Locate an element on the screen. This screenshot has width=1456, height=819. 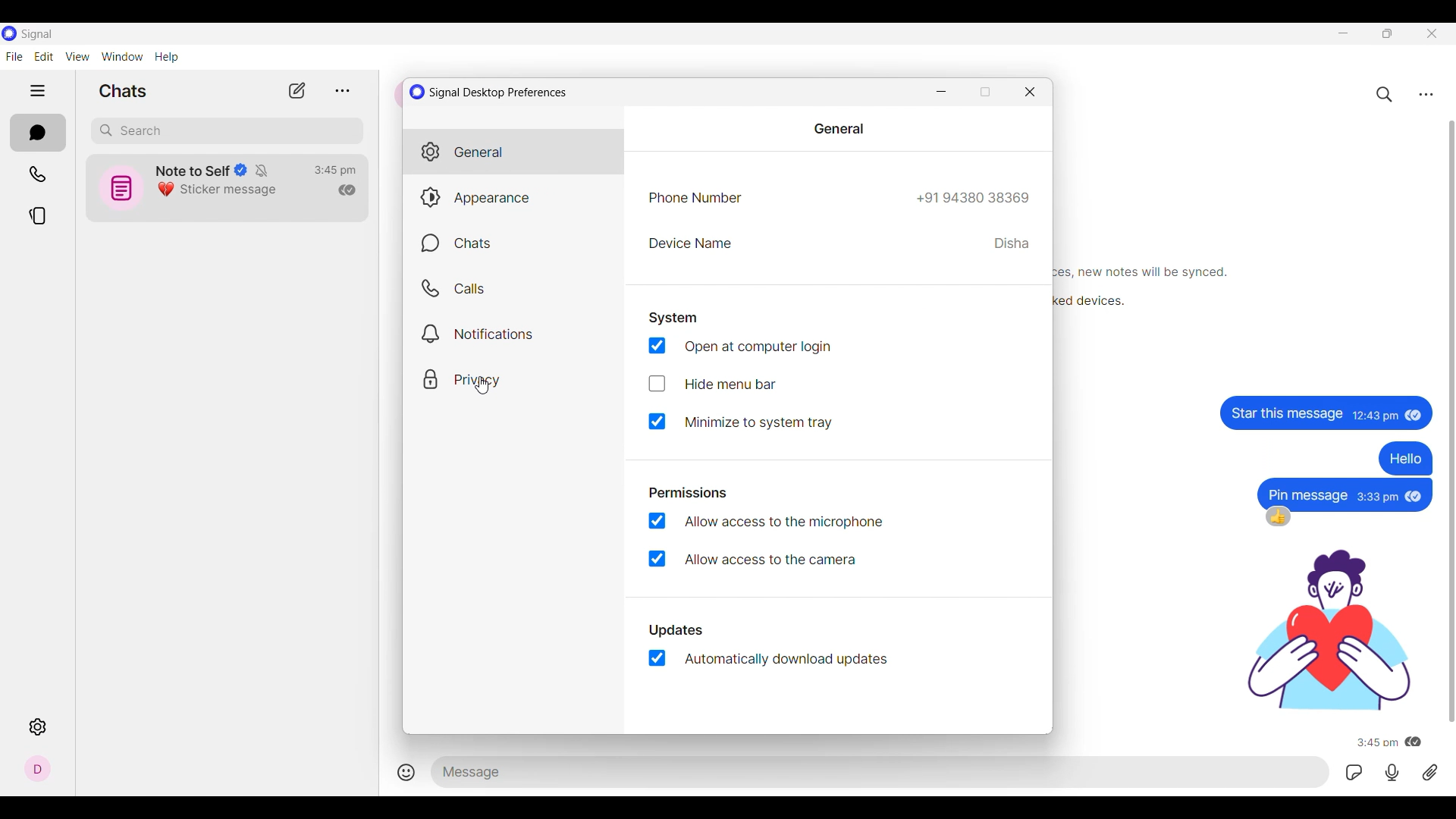
Voice recorded message is located at coordinates (1392, 773).